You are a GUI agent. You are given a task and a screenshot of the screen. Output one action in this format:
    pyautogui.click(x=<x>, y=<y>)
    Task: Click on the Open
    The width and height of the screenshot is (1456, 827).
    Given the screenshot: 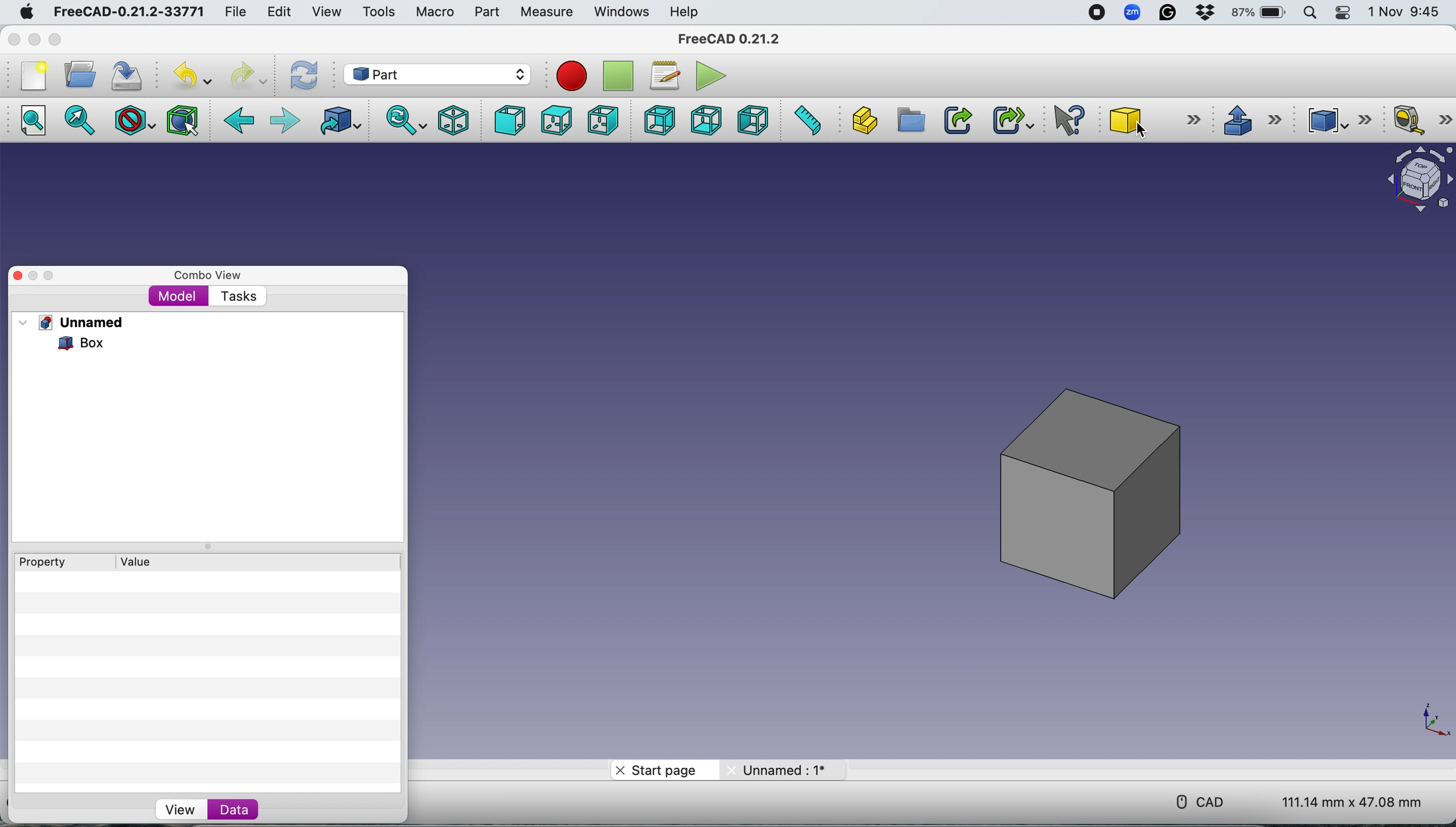 What is the action you would take?
    pyautogui.click(x=80, y=74)
    